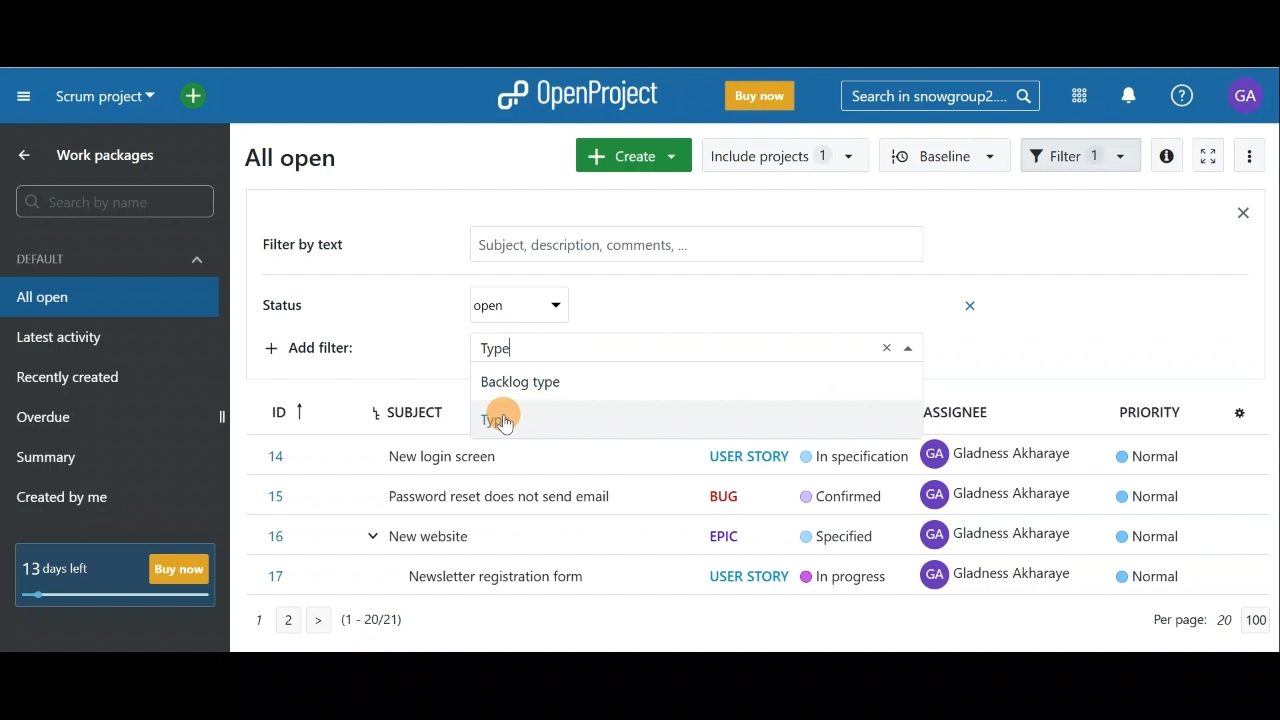 This screenshot has width=1280, height=720. What do you see at coordinates (303, 156) in the screenshot?
I see `All open` at bounding box center [303, 156].